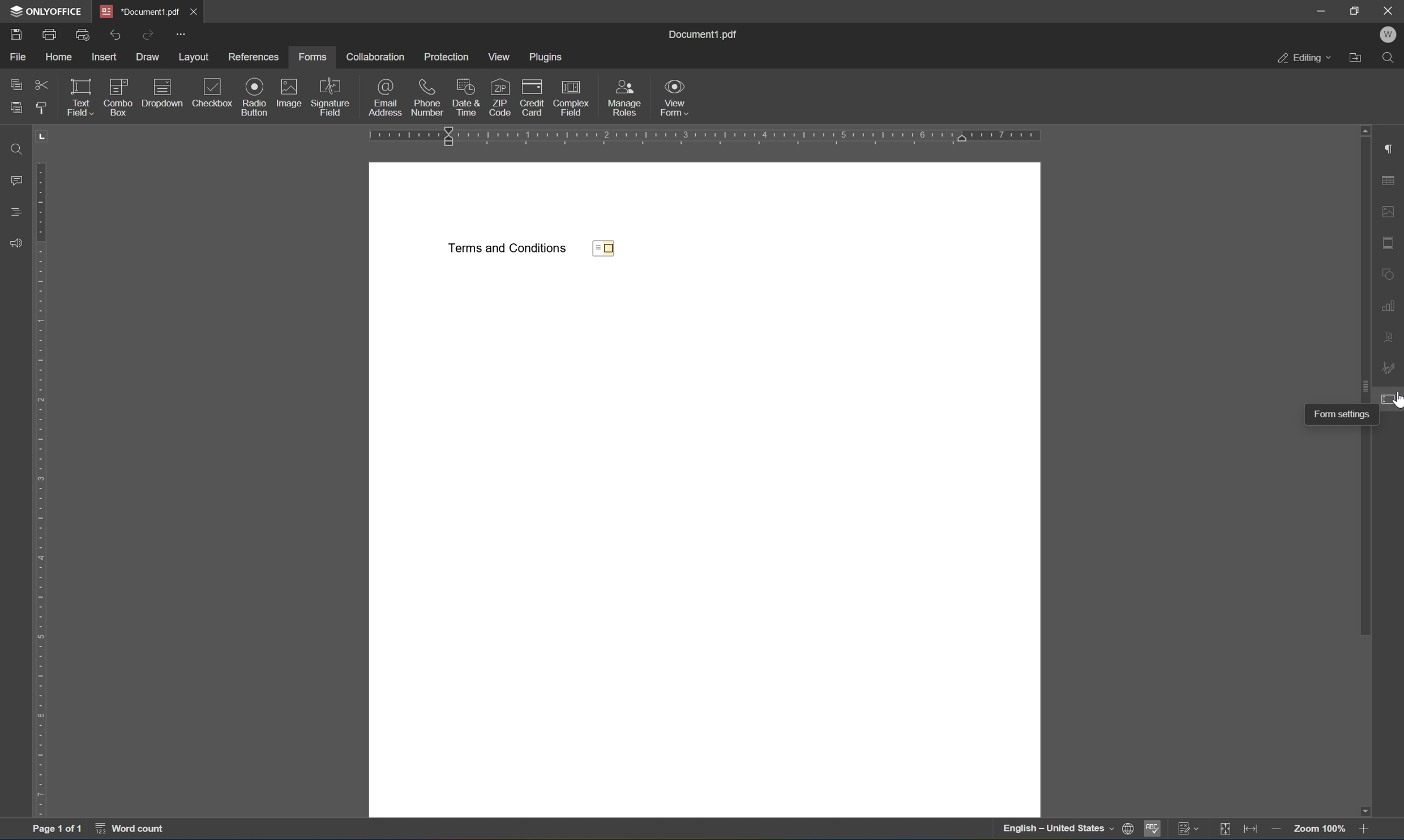 The height and width of the screenshot is (840, 1404). What do you see at coordinates (162, 92) in the screenshot?
I see `dropdown` at bounding box center [162, 92].